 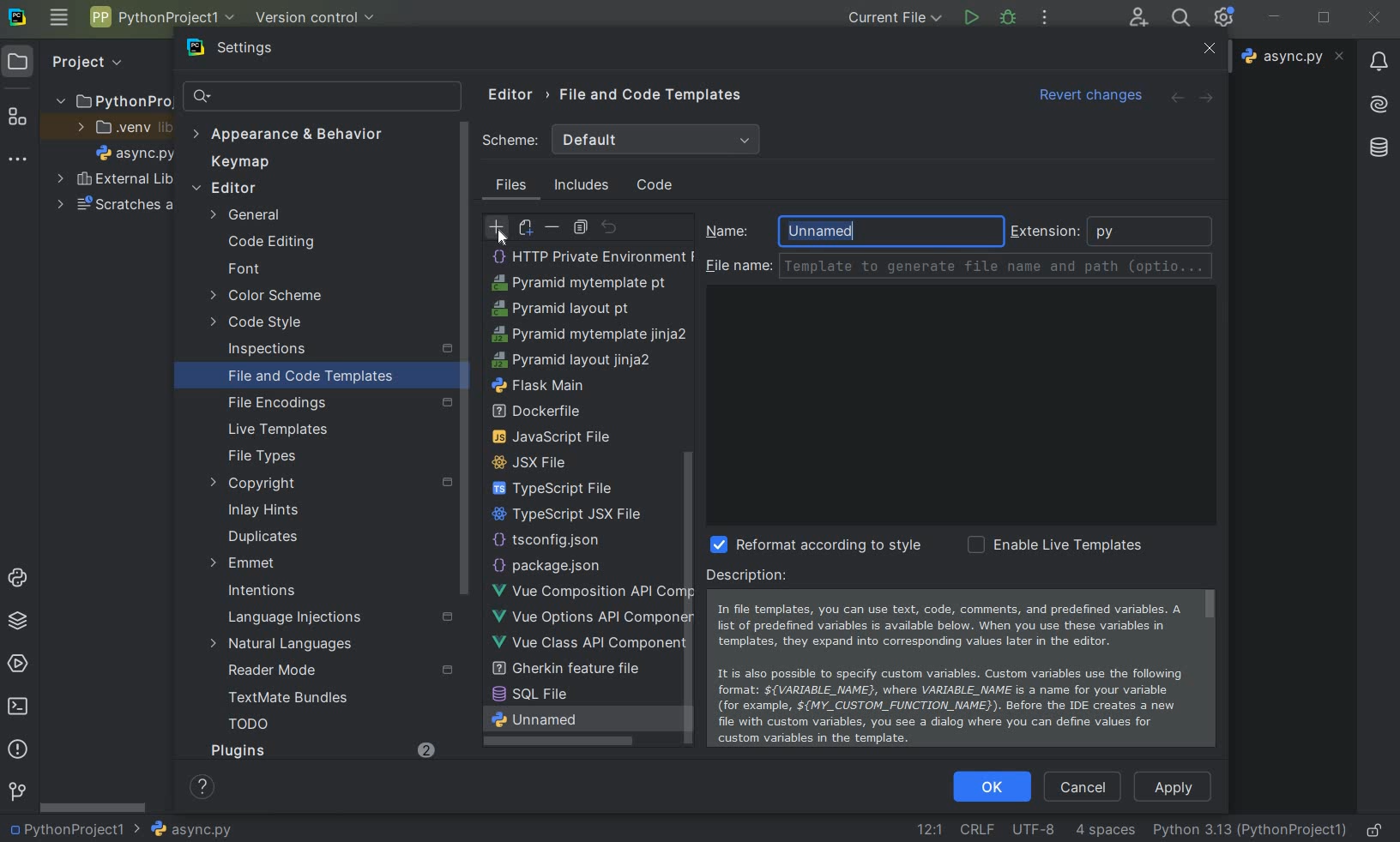 What do you see at coordinates (1154, 231) in the screenshot?
I see `python extenstion` at bounding box center [1154, 231].